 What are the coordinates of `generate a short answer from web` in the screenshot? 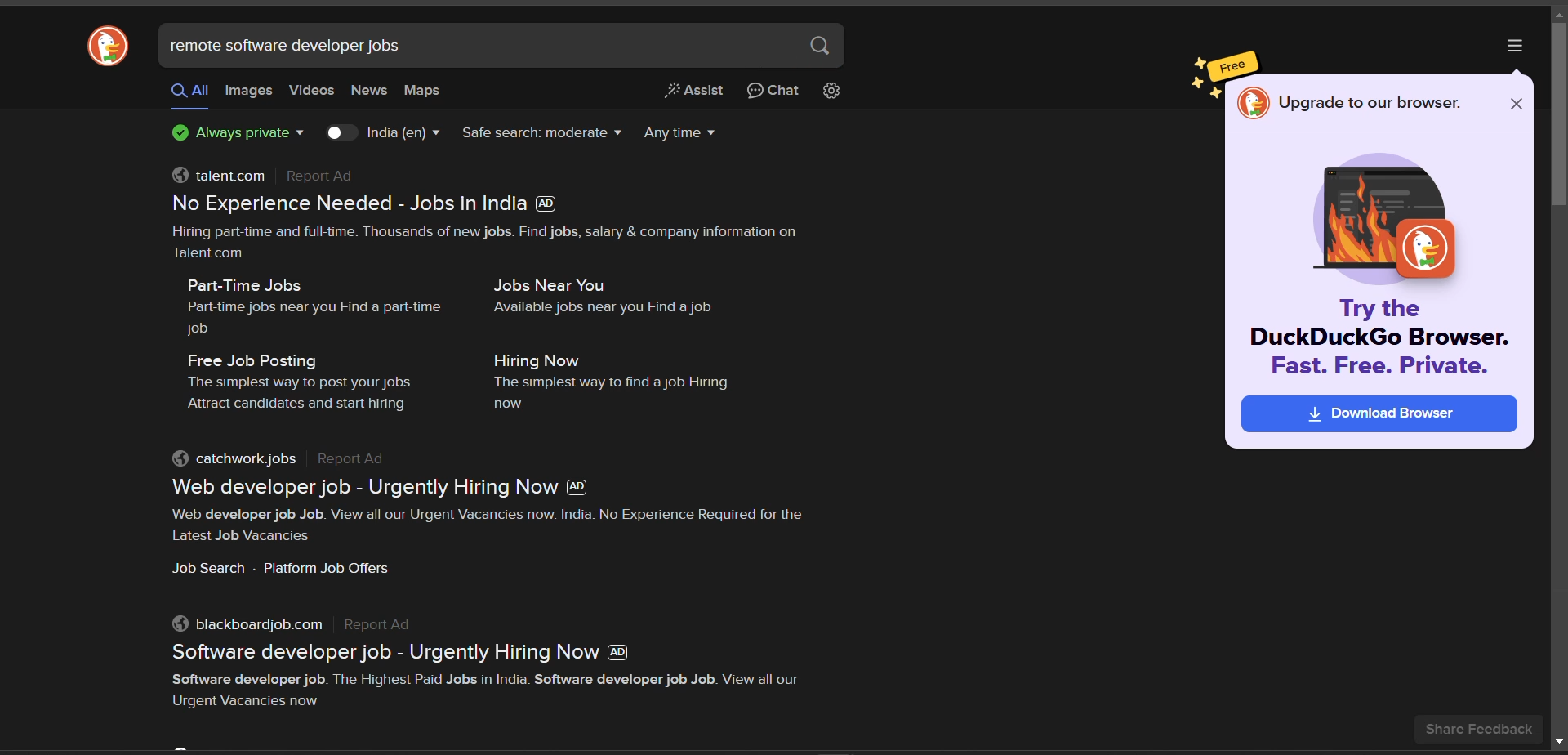 It's located at (695, 90).